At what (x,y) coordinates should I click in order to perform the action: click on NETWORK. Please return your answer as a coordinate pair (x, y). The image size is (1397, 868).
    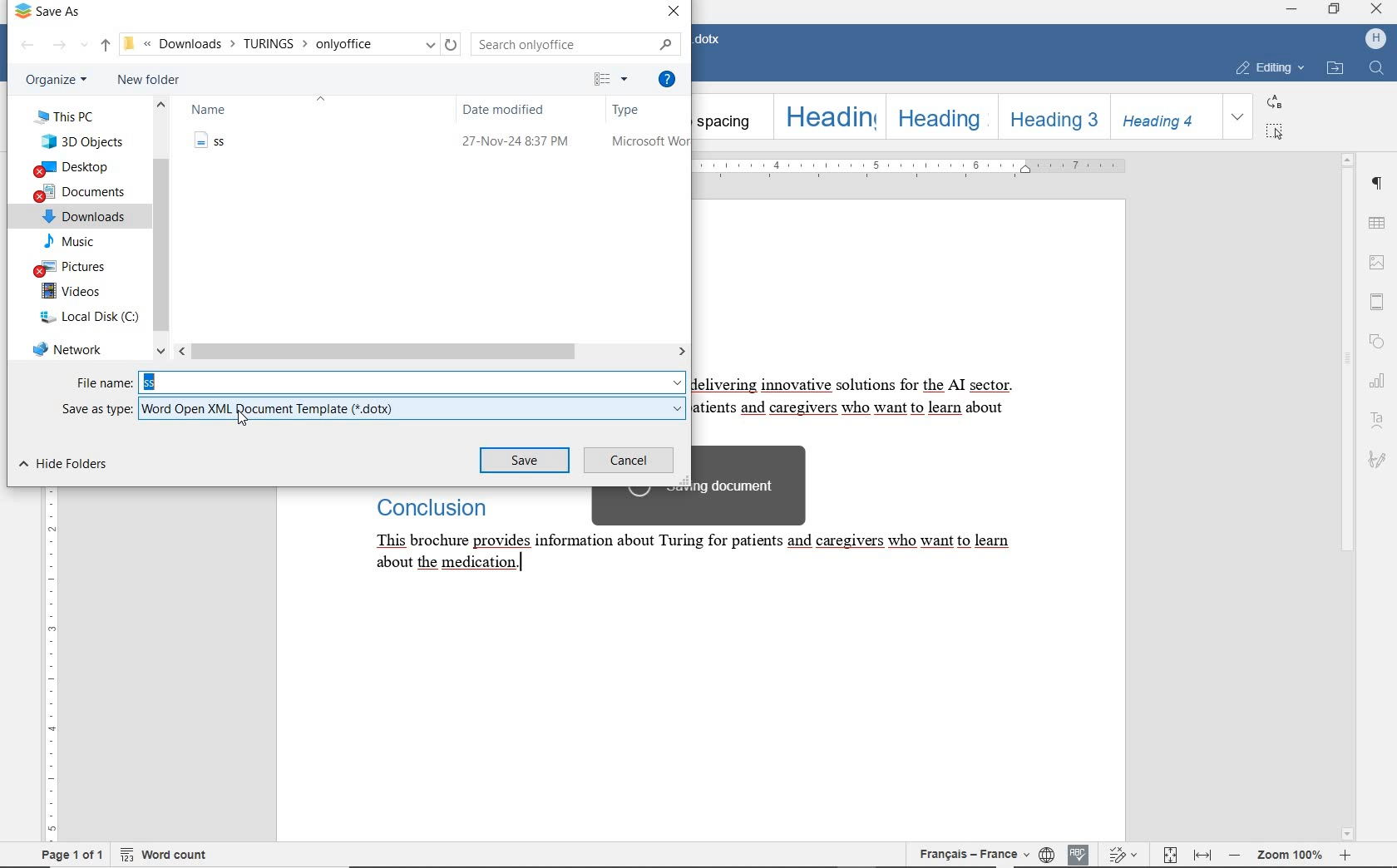
    Looking at the image, I should click on (71, 347).